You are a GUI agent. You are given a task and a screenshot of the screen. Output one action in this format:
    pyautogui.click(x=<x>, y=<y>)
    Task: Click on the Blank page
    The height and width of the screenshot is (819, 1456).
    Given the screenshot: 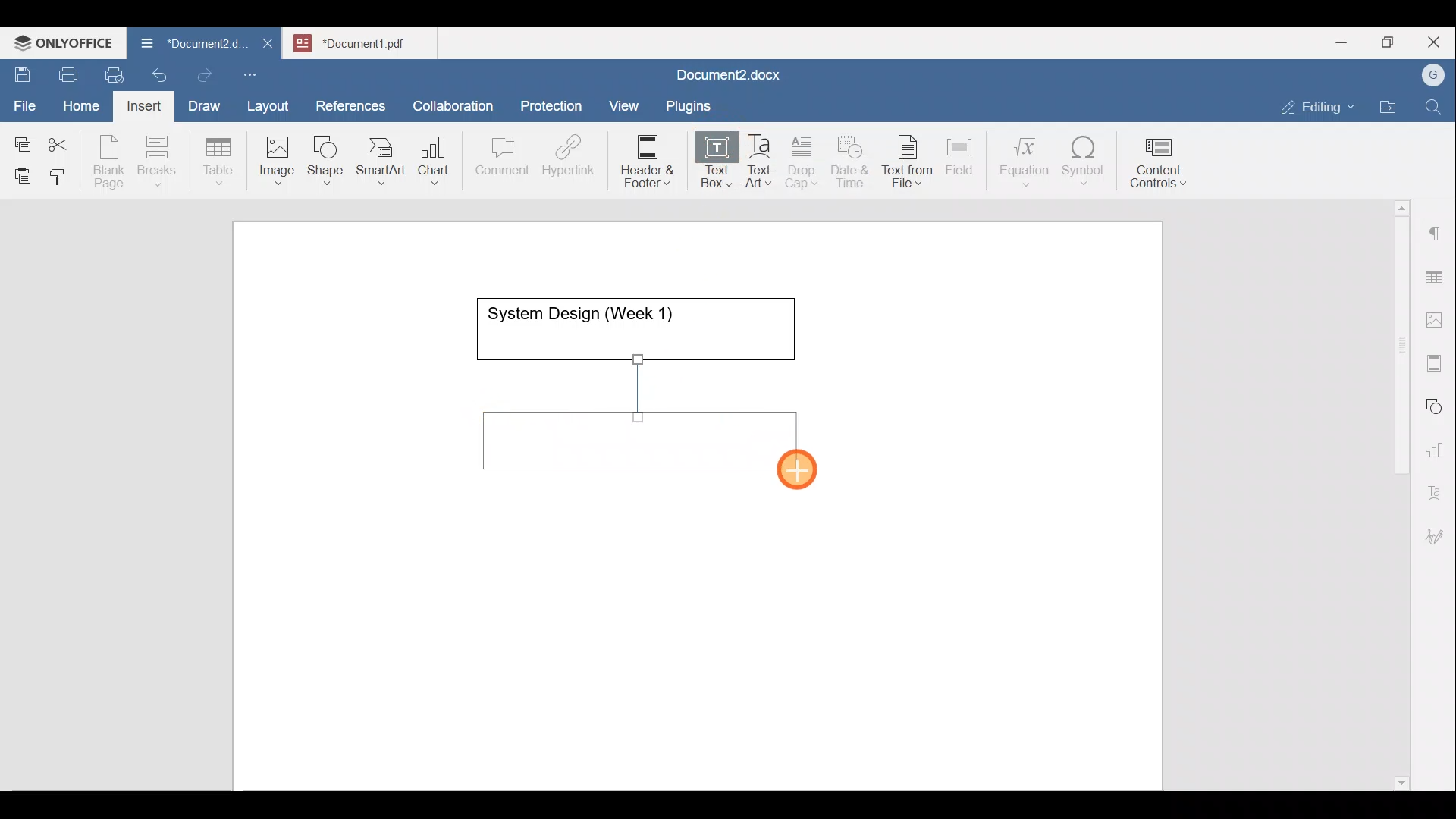 What is the action you would take?
    pyautogui.click(x=111, y=162)
    